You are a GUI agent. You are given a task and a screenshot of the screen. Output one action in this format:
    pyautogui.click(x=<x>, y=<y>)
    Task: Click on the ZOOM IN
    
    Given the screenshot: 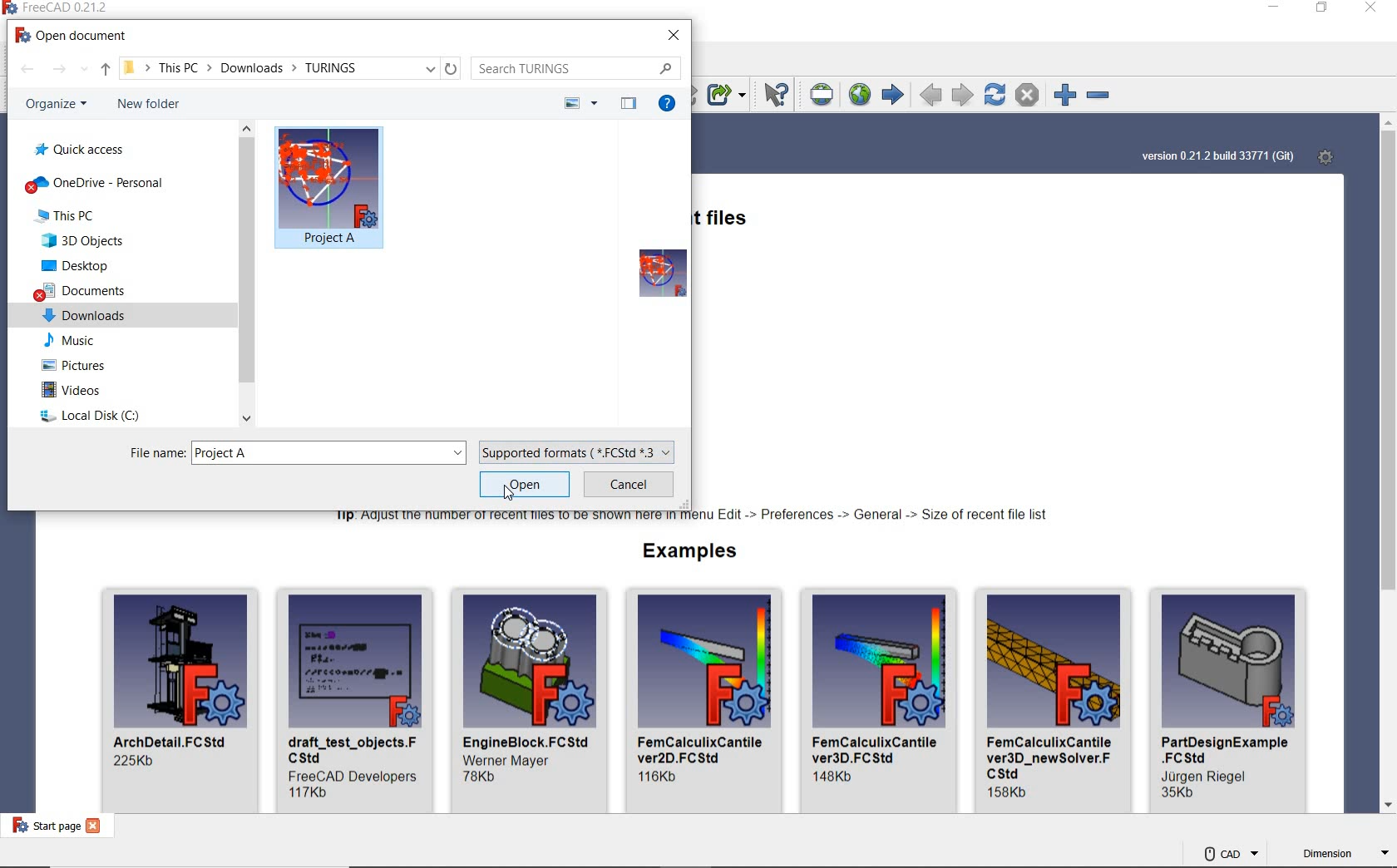 What is the action you would take?
    pyautogui.click(x=1060, y=94)
    